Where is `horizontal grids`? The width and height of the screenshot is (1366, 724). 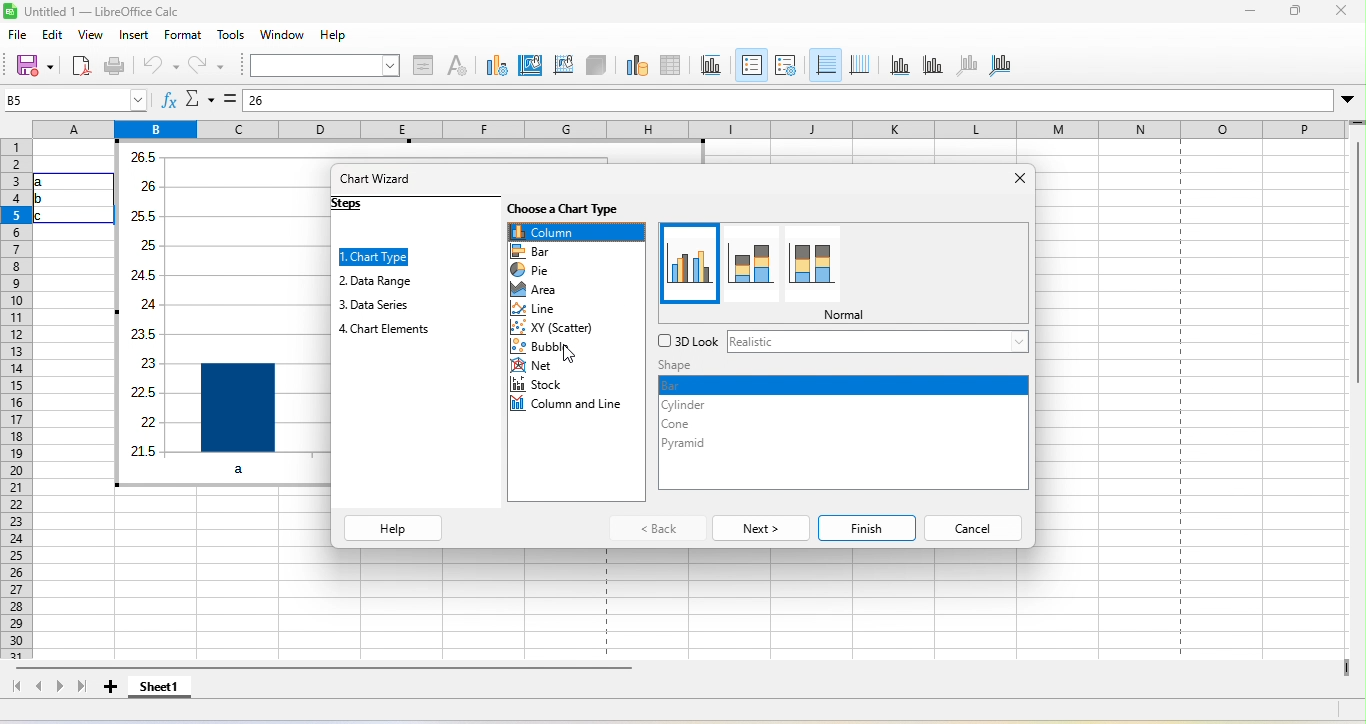
horizontal grids is located at coordinates (825, 65).